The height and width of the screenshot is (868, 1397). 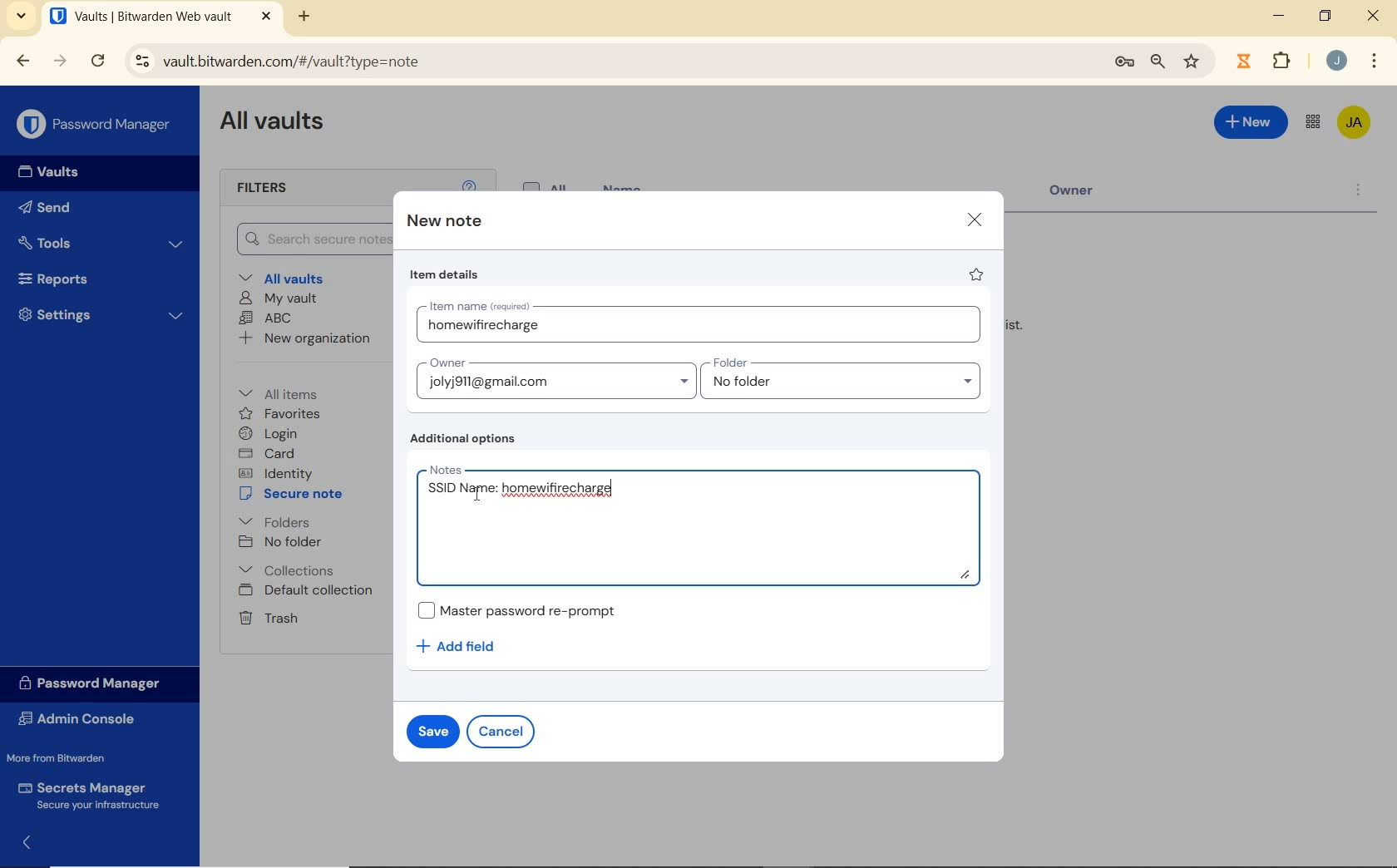 I want to click on No folder, so click(x=280, y=542).